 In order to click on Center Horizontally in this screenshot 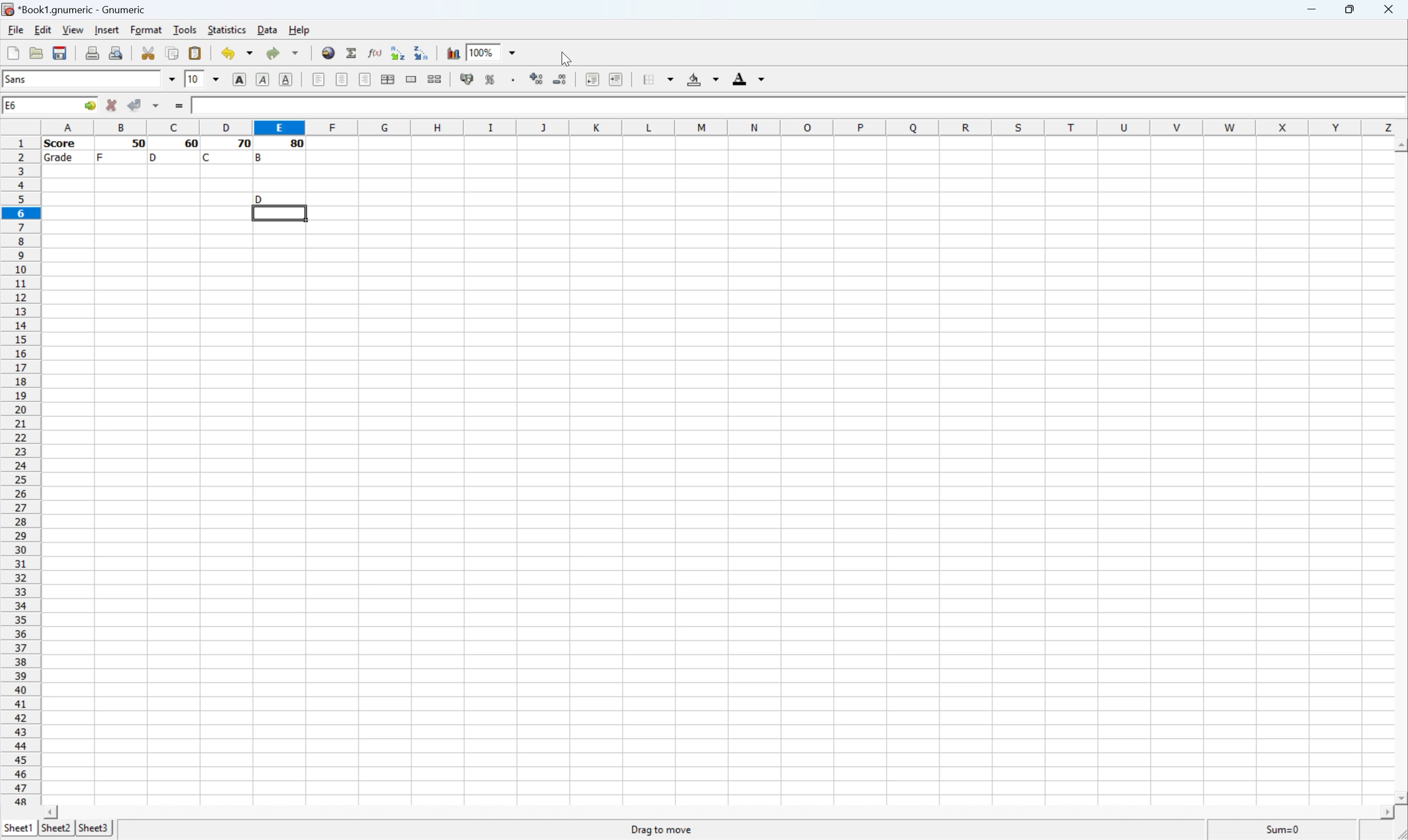, I will do `click(340, 80)`.